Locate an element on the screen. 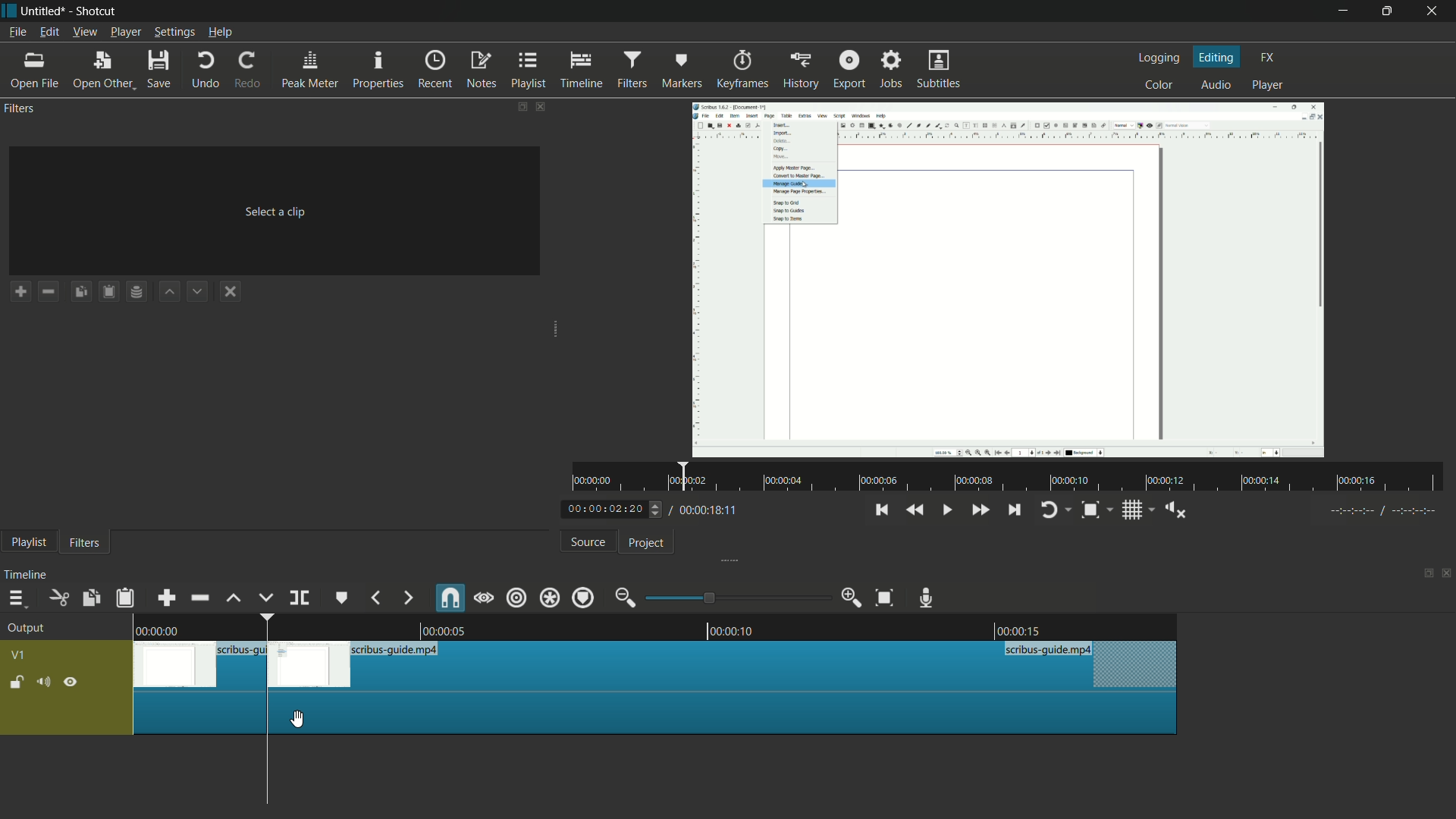 This screenshot has width=1456, height=819. quickly play backward is located at coordinates (918, 510).